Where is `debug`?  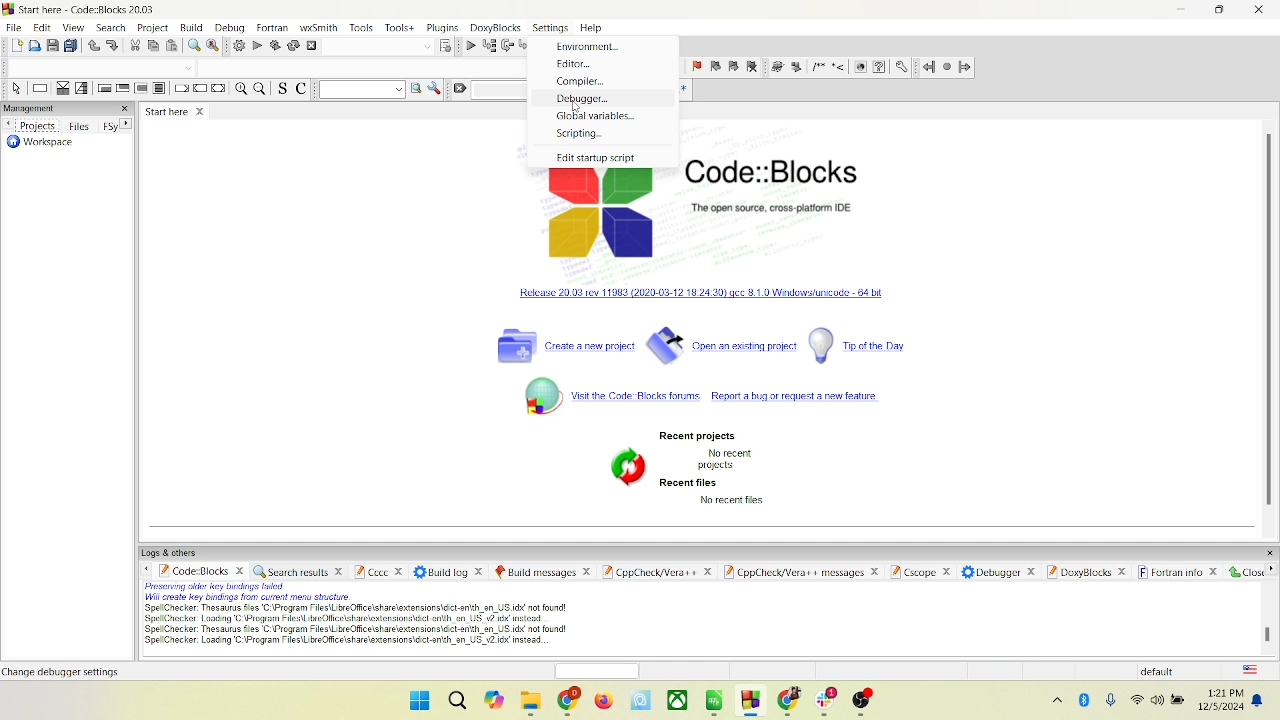
debug is located at coordinates (467, 46).